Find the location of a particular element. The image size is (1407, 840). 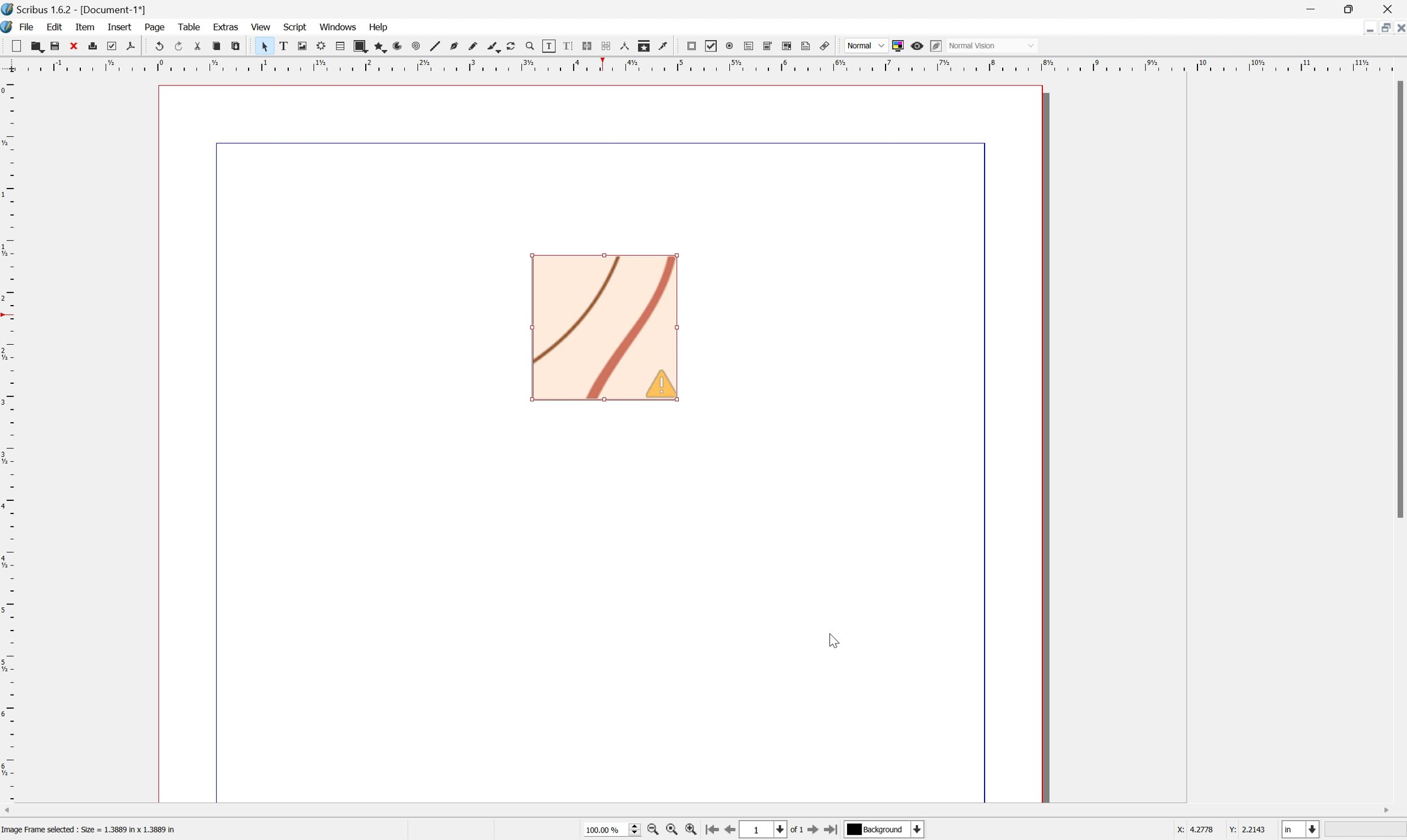

Edit in preview mode is located at coordinates (936, 46).